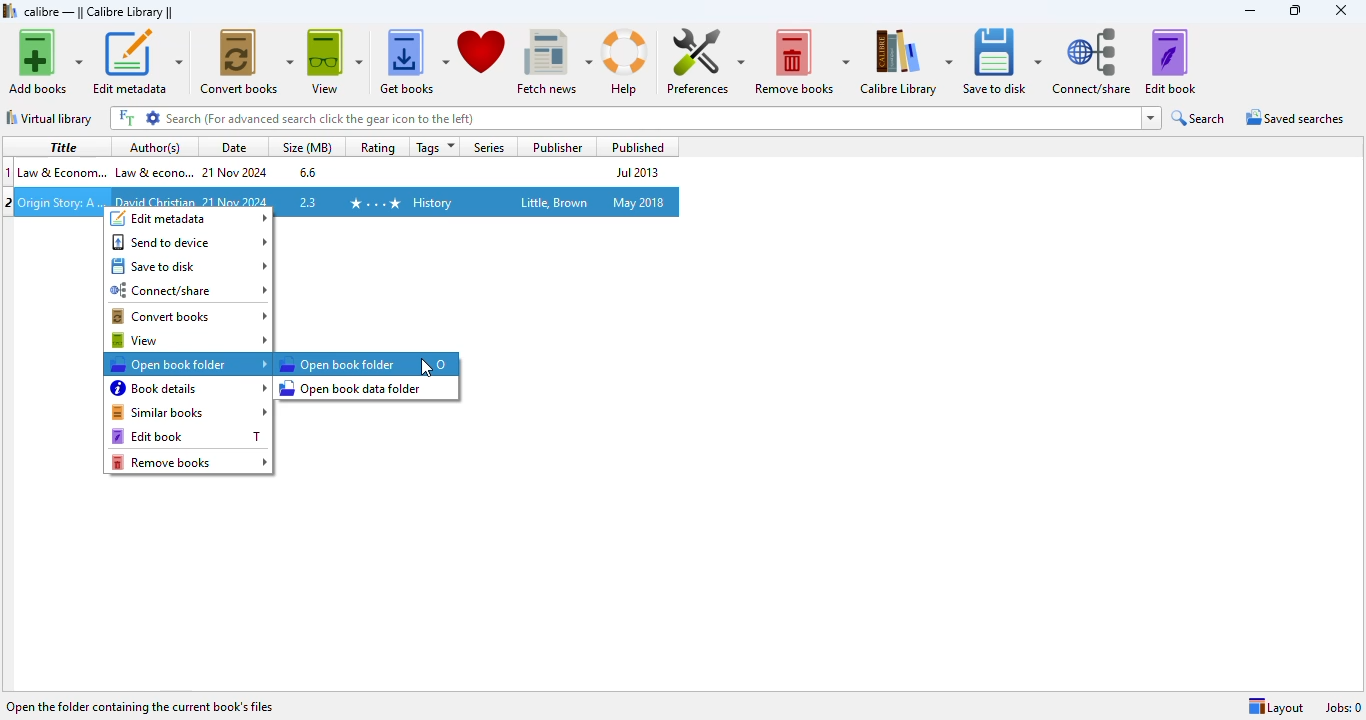 The width and height of the screenshot is (1366, 720). I want to click on open book folder, so click(189, 364).